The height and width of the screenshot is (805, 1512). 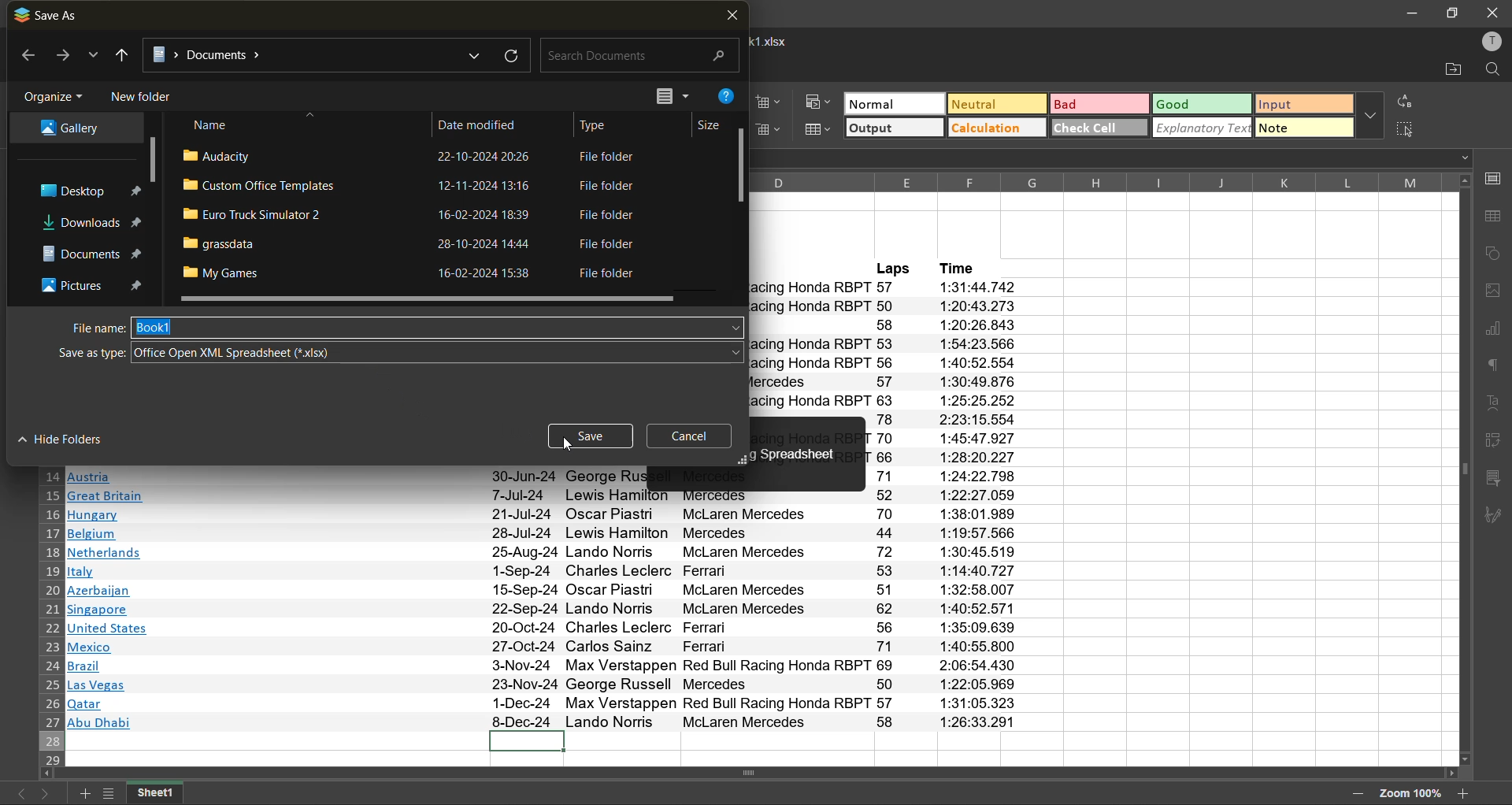 I want to click on add new sheet, so click(x=84, y=793).